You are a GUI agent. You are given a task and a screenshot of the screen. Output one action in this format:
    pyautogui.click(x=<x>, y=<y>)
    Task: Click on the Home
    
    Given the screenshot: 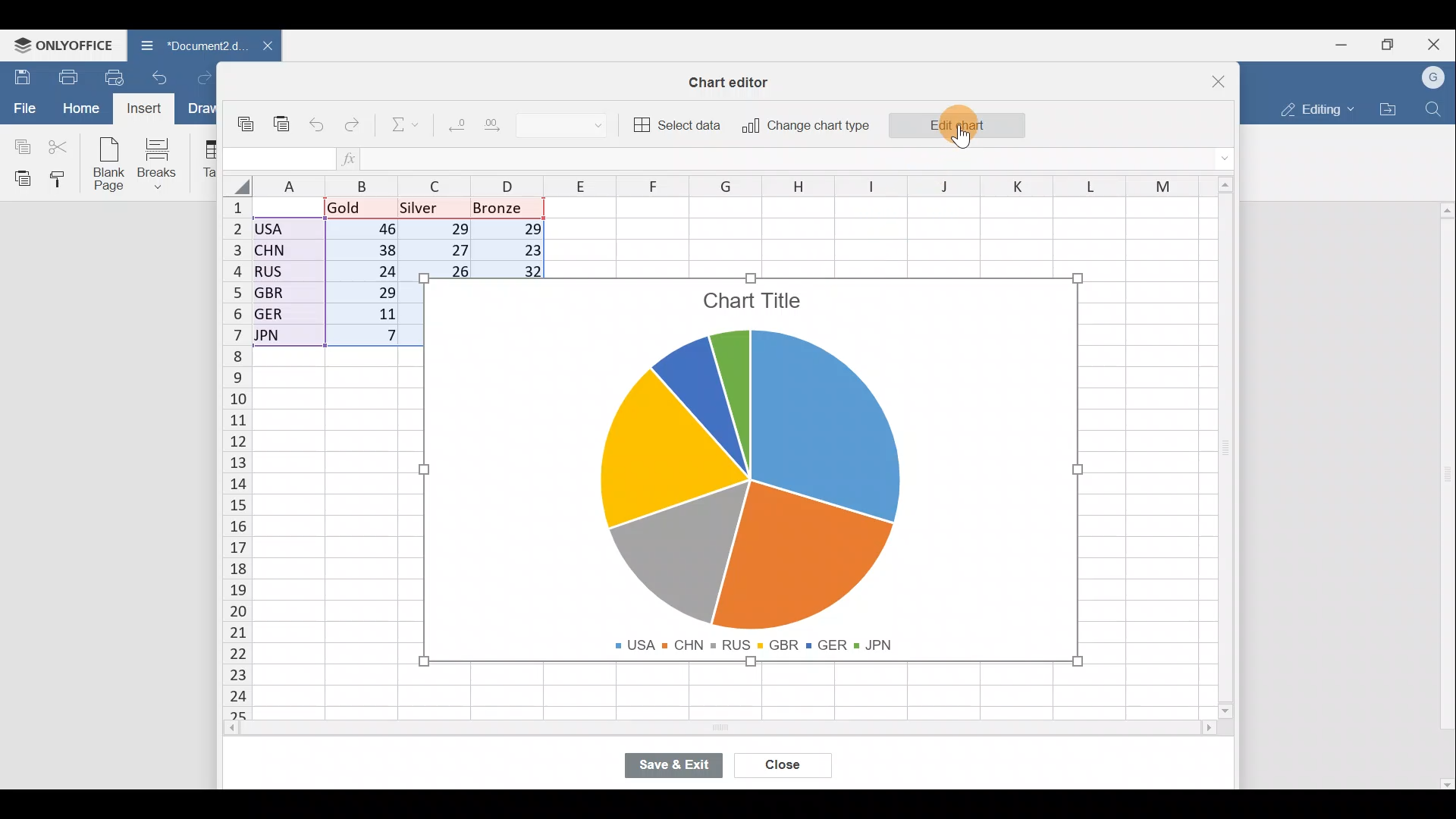 What is the action you would take?
    pyautogui.click(x=80, y=108)
    